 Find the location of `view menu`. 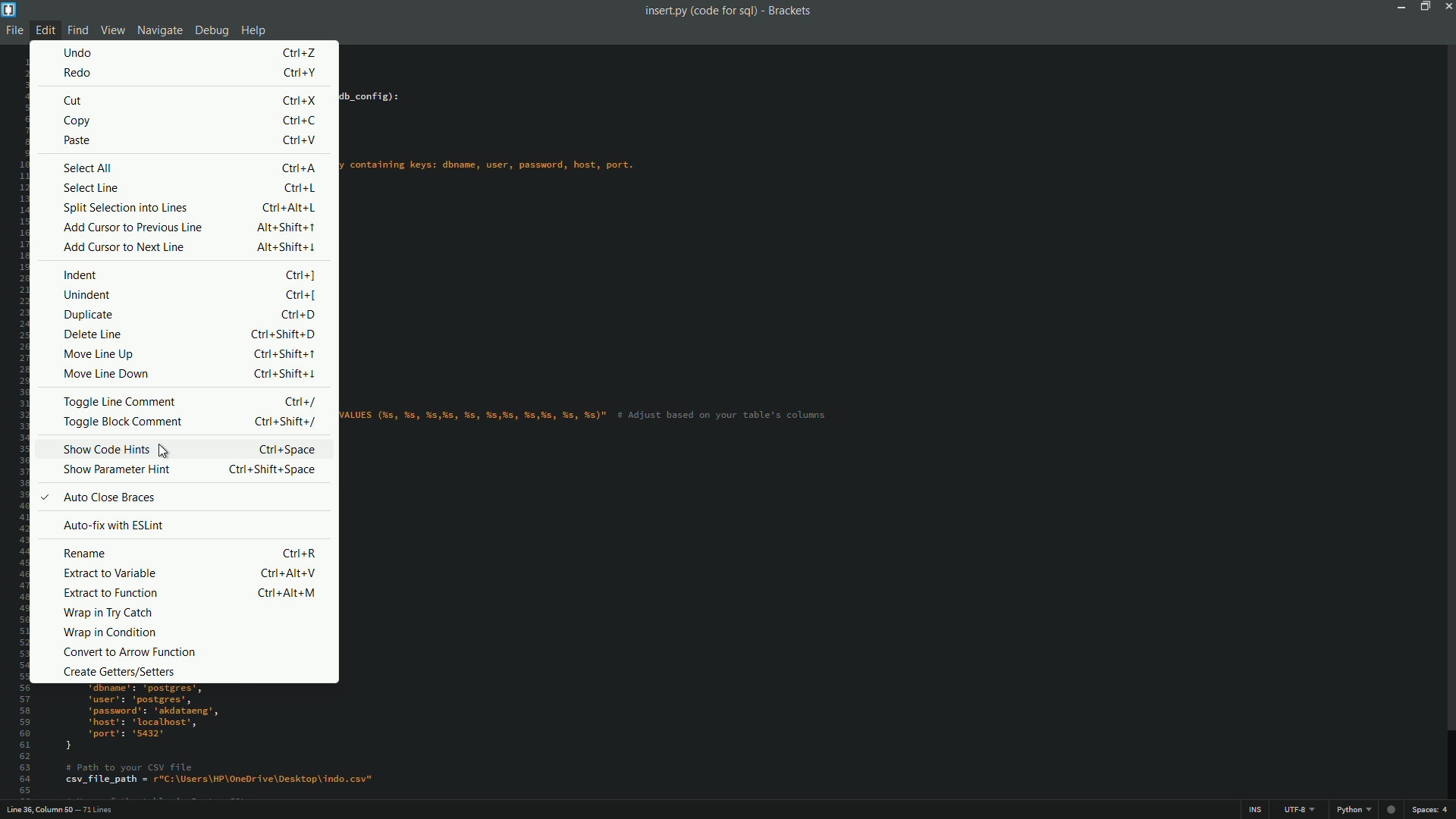

view menu is located at coordinates (111, 30).